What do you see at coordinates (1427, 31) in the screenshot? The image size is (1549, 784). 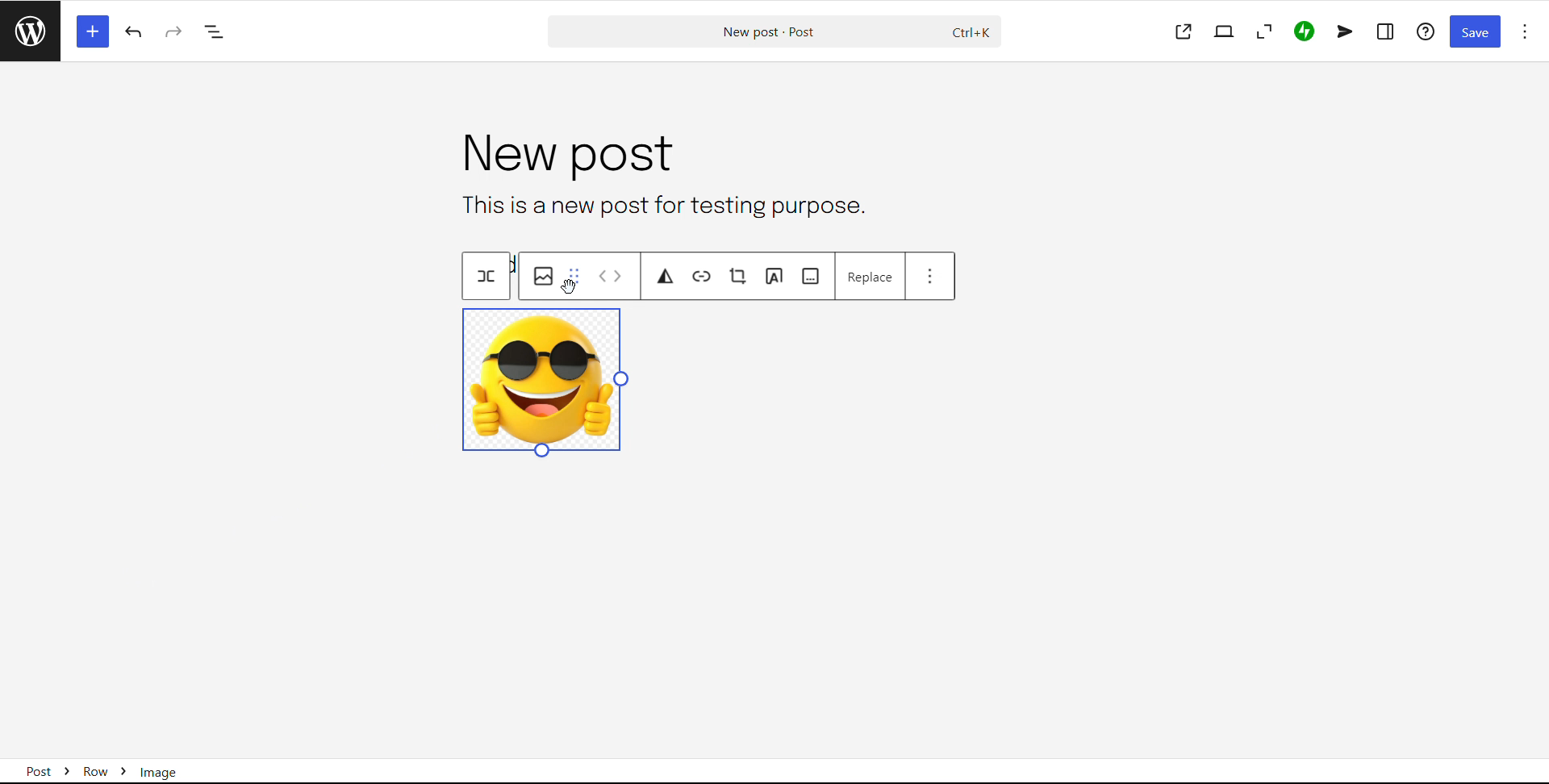 I see `help` at bounding box center [1427, 31].